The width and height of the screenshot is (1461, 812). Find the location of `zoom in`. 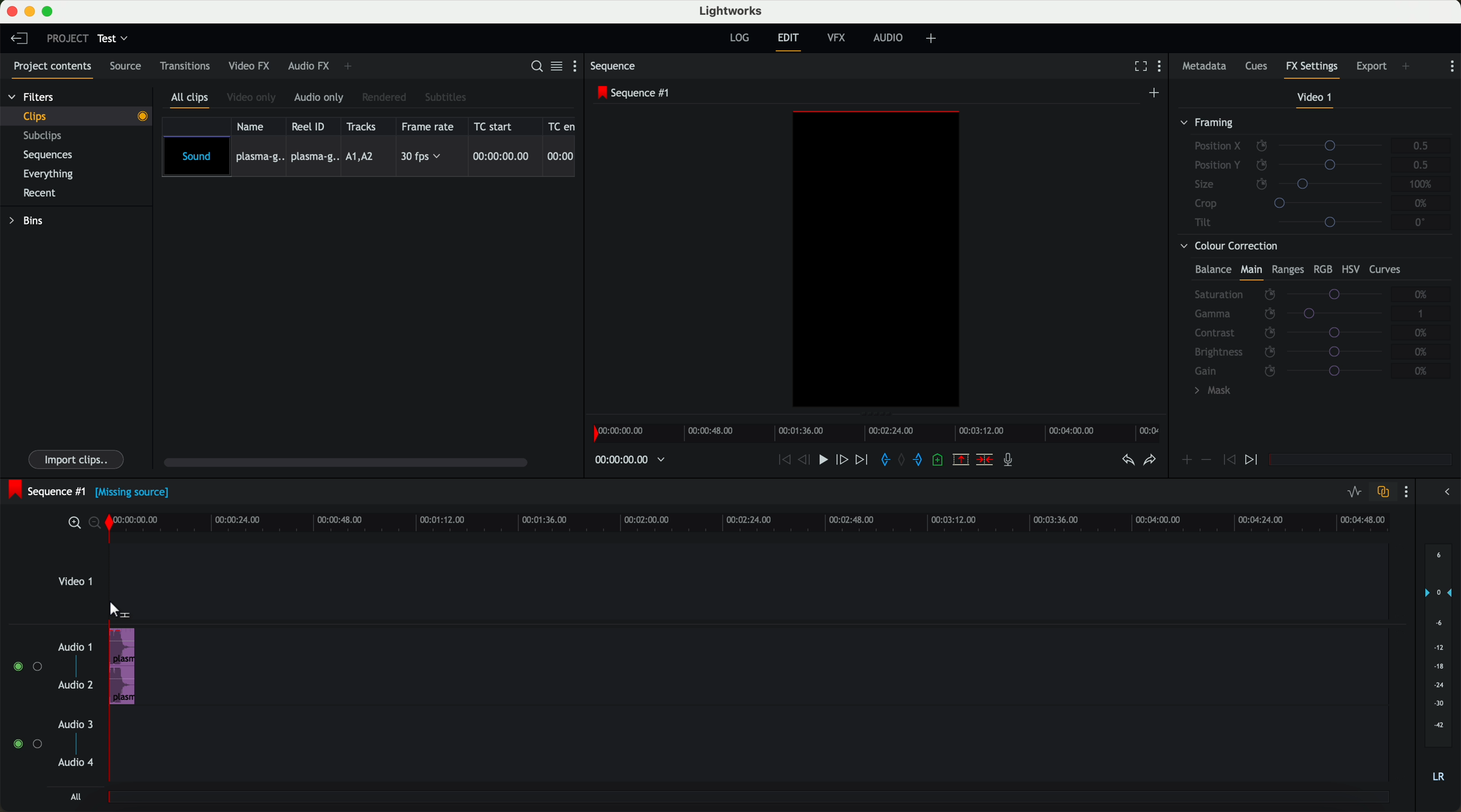

zoom in is located at coordinates (74, 523).